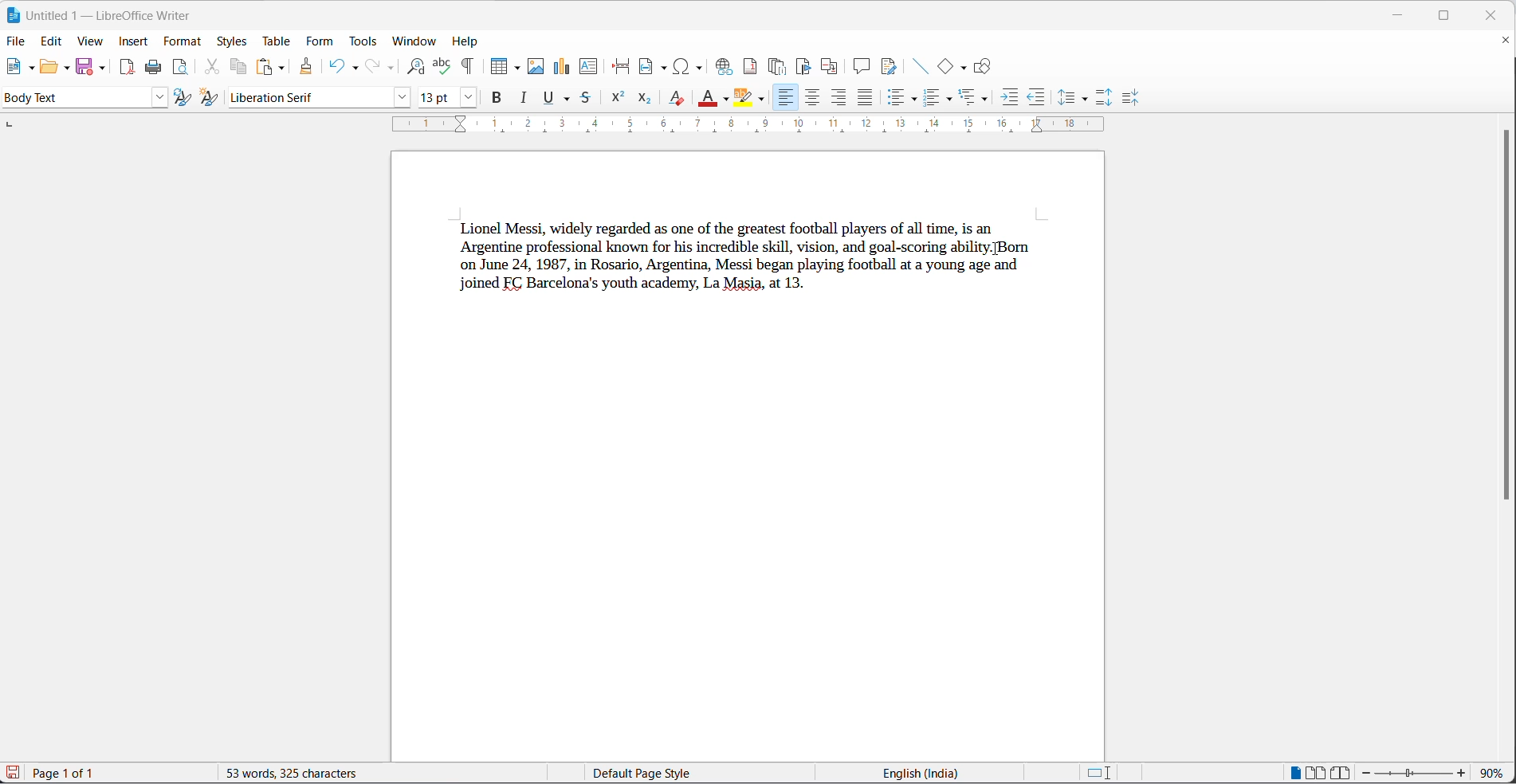 The height and width of the screenshot is (784, 1516). Describe the element at coordinates (413, 39) in the screenshot. I see `window` at that location.